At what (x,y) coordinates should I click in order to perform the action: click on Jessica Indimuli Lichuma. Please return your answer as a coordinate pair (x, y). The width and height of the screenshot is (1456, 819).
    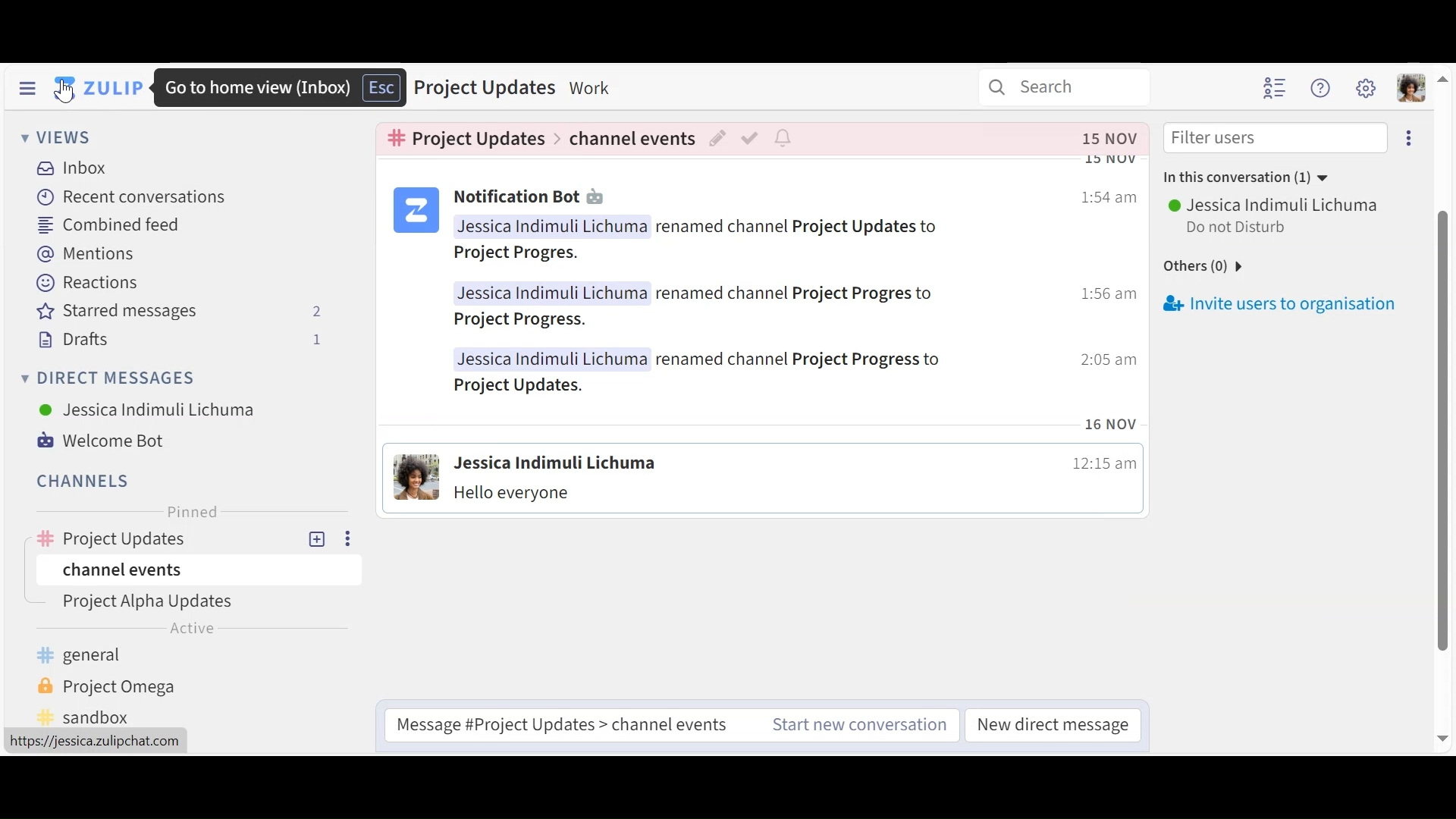
    Looking at the image, I should click on (1276, 206).